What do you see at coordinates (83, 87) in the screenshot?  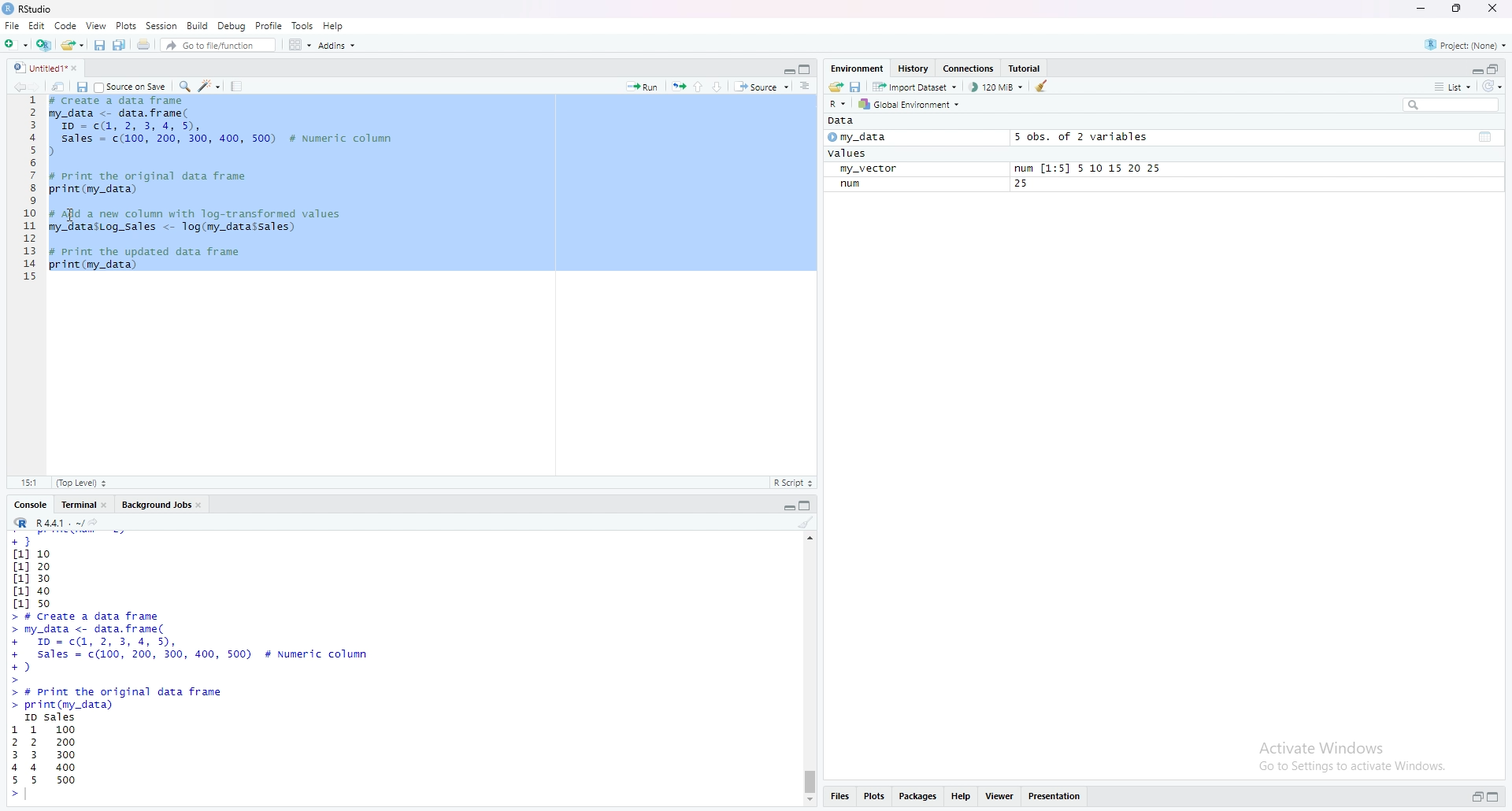 I see `save current document` at bounding box center [83, 87].